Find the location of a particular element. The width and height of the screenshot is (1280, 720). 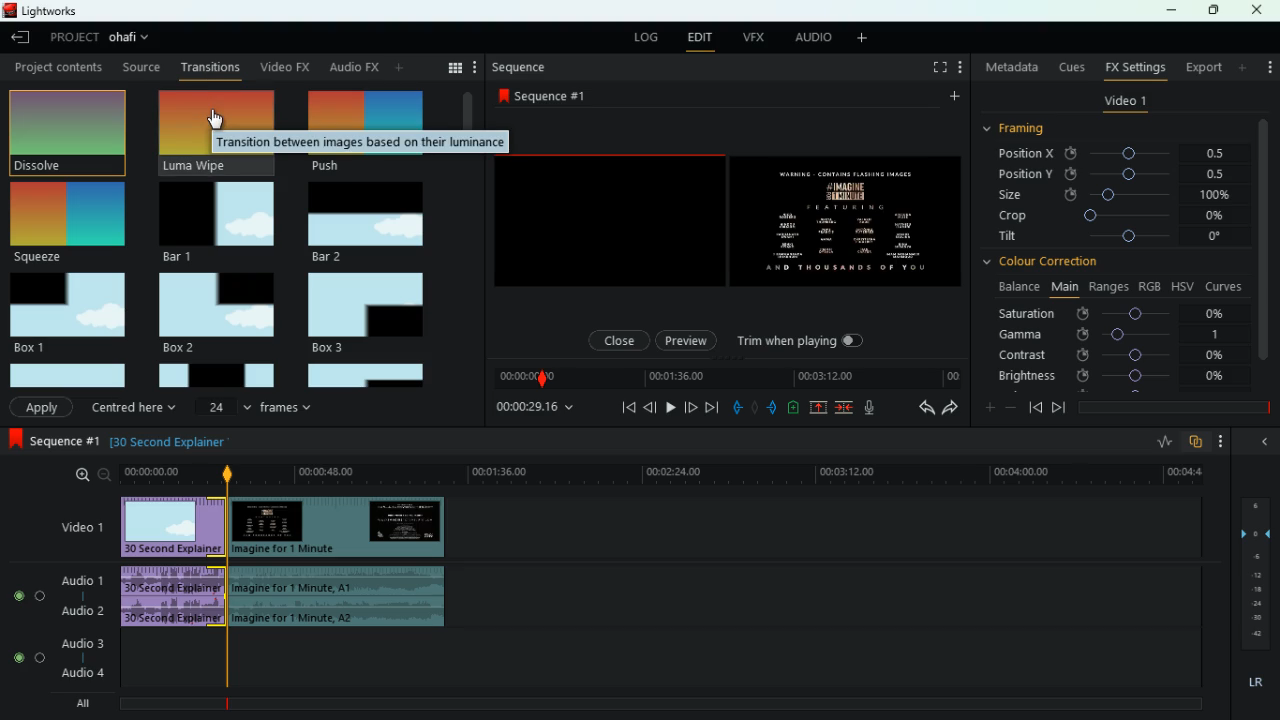

more is located at coordinates (1267, 62).